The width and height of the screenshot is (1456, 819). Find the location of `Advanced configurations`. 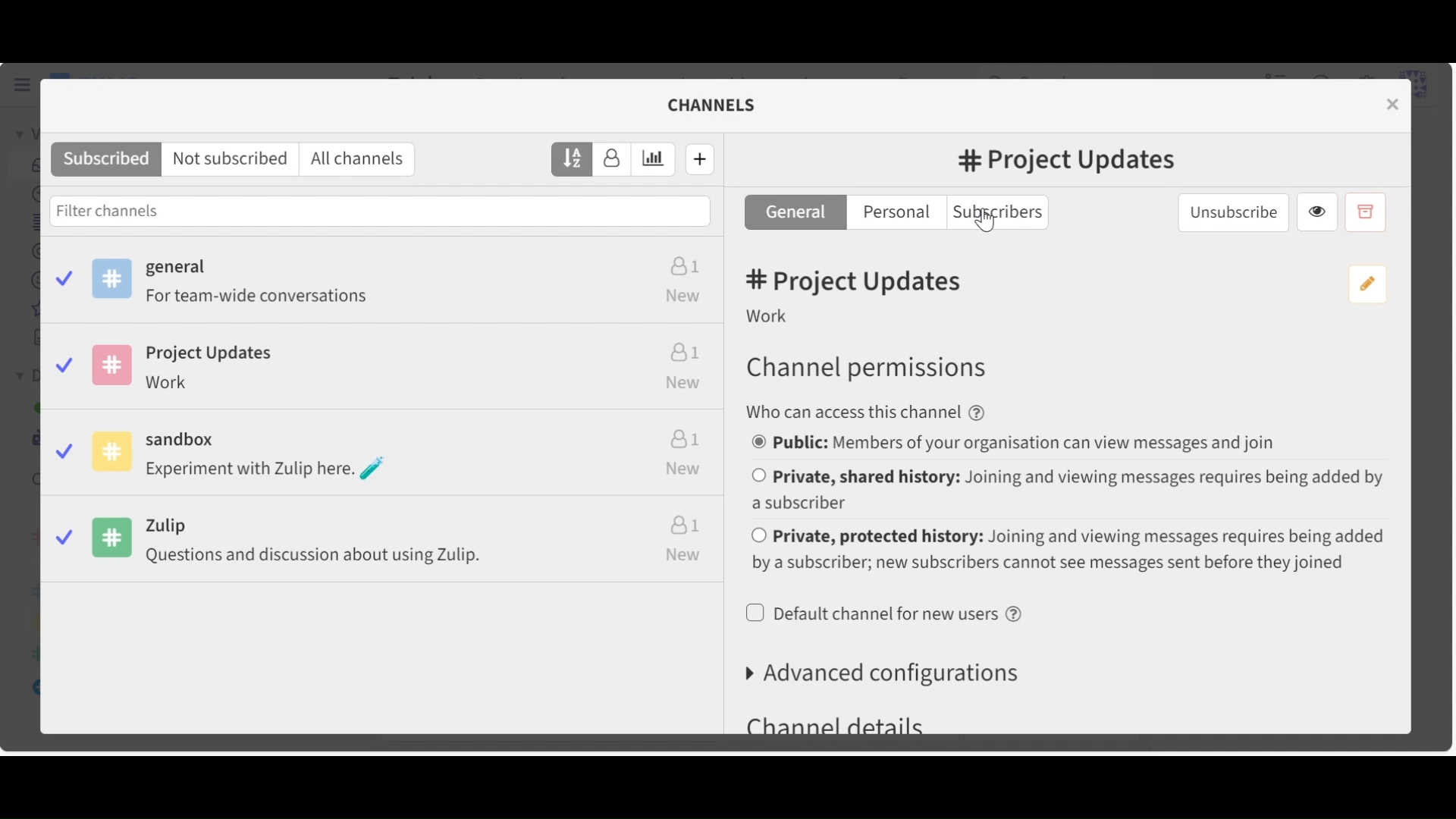

Advanced configurations is located at coordinates (884, 673).